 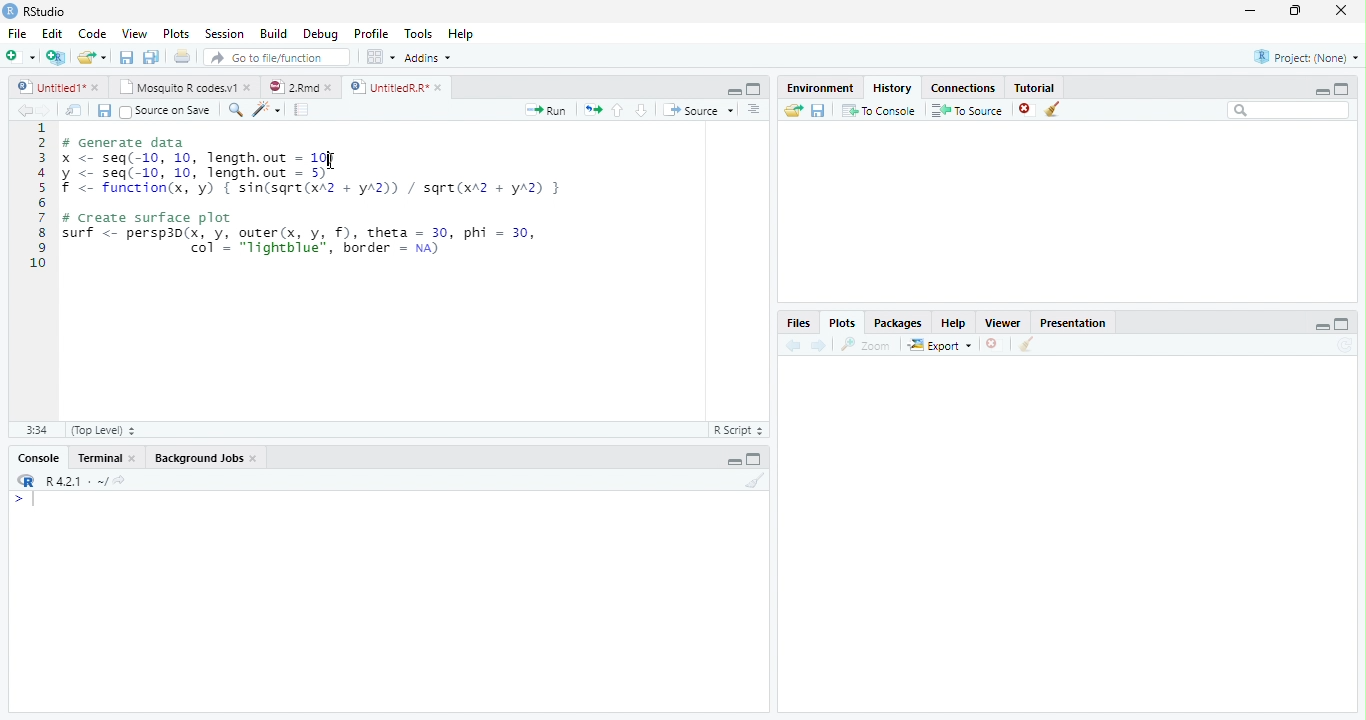 I want to click on Background Jobs, so click(x=199, y=458).